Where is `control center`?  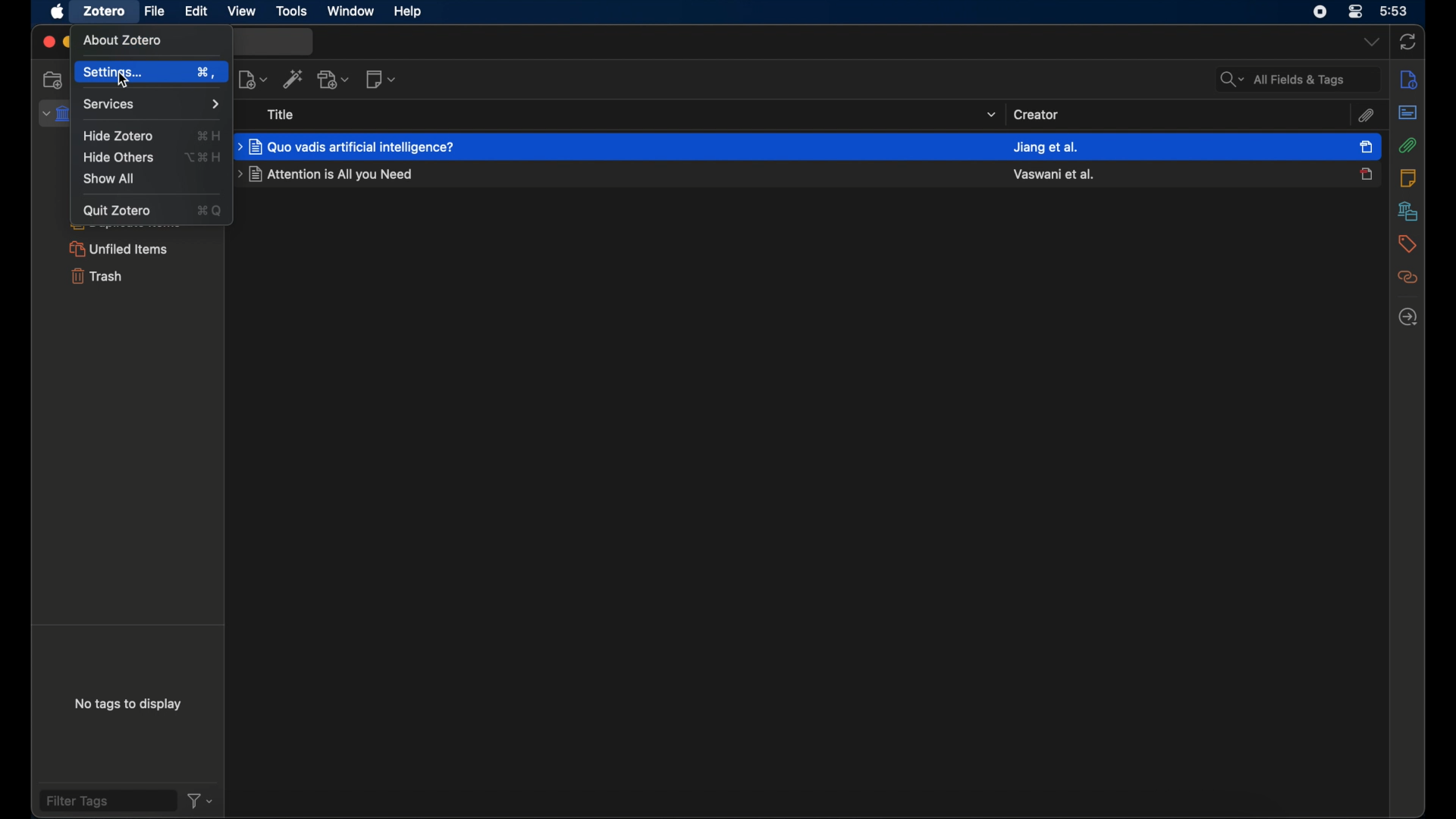
control center is located at coordinates (1356, 12).